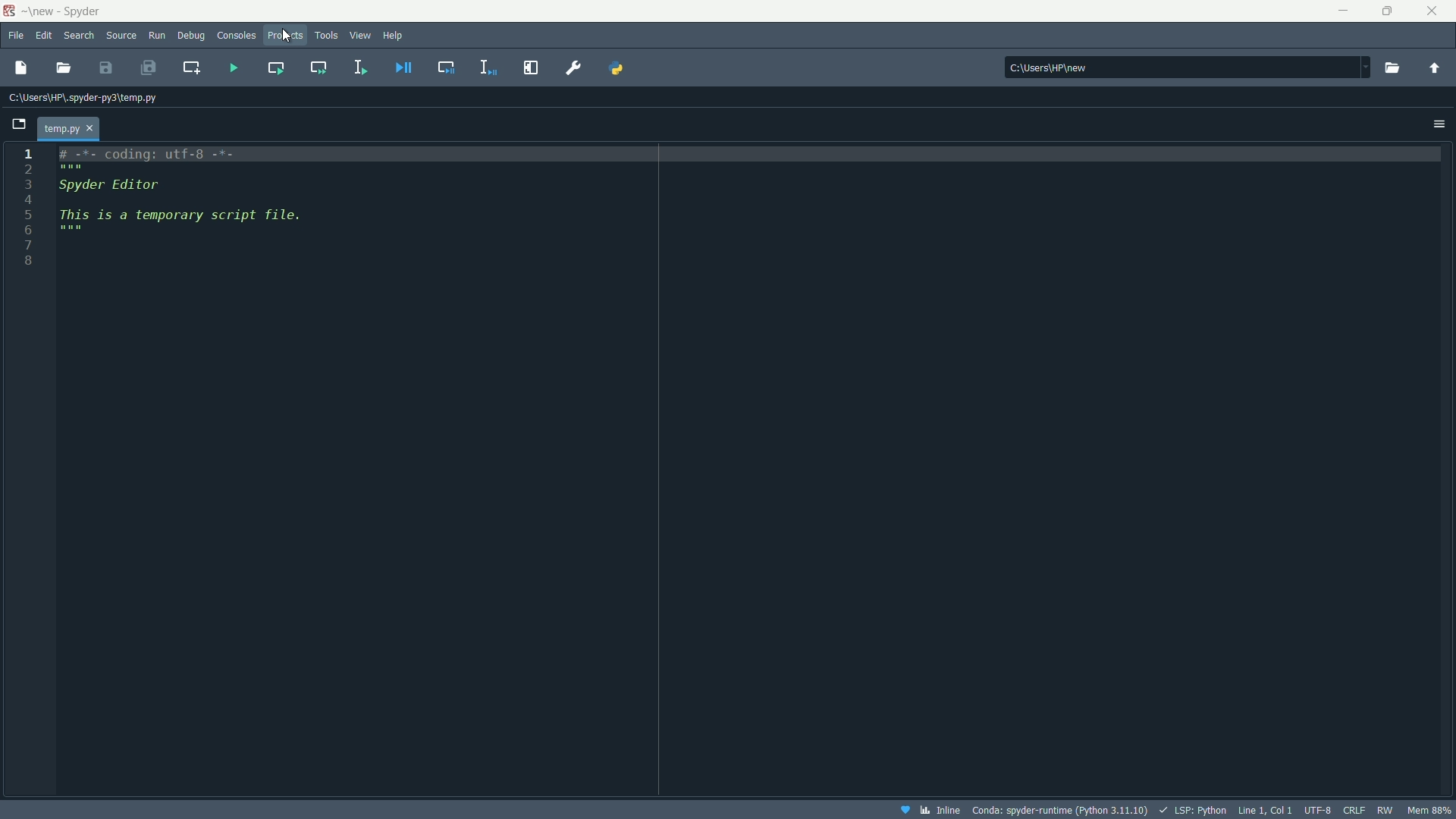 The width and height of the screenshot is (1456, 819). I want to click on Run current cell and go to the next one, so click(320, 69).